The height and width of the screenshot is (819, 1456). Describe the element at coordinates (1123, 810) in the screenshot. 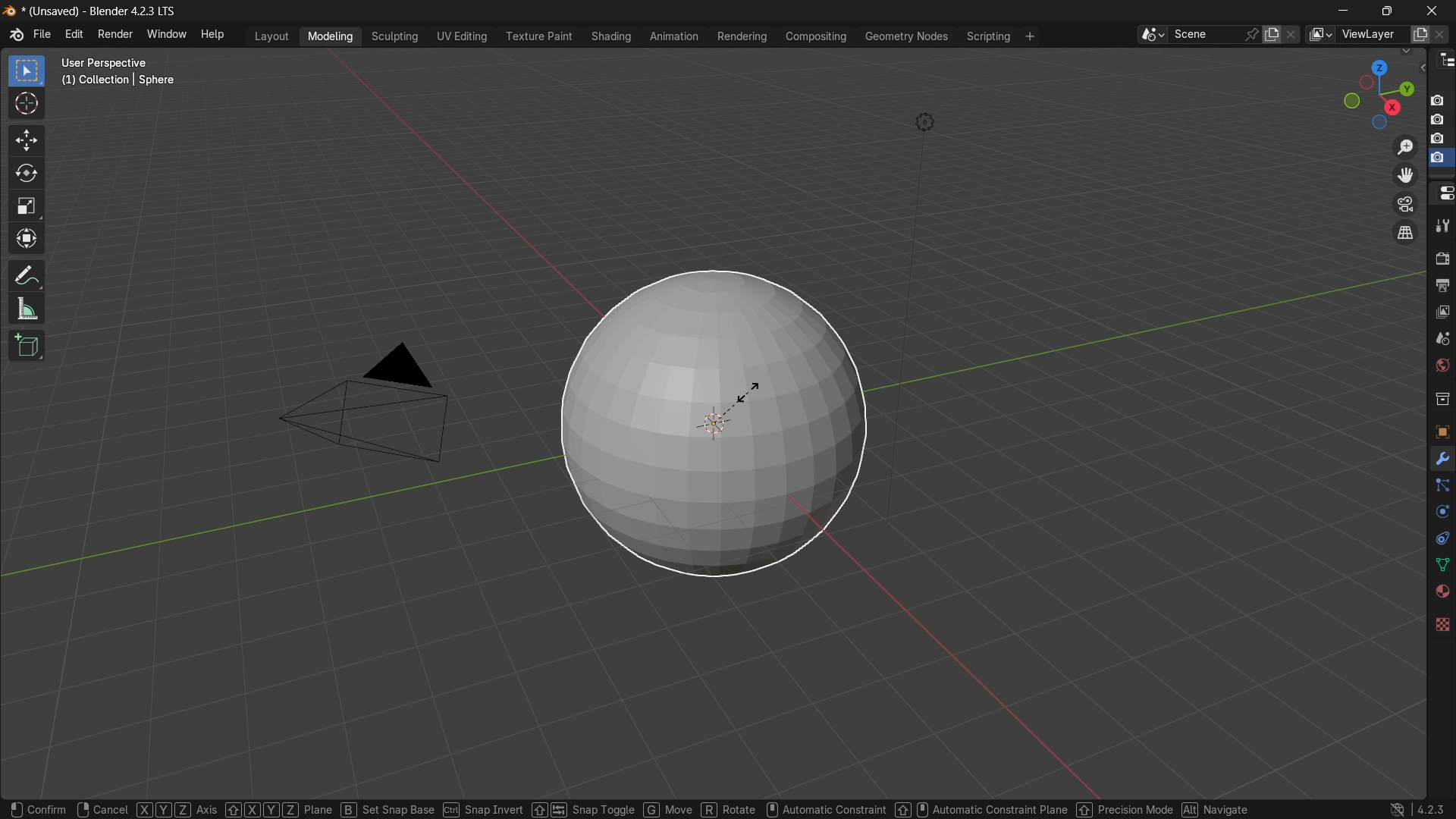

I see `precision mode` at that location.